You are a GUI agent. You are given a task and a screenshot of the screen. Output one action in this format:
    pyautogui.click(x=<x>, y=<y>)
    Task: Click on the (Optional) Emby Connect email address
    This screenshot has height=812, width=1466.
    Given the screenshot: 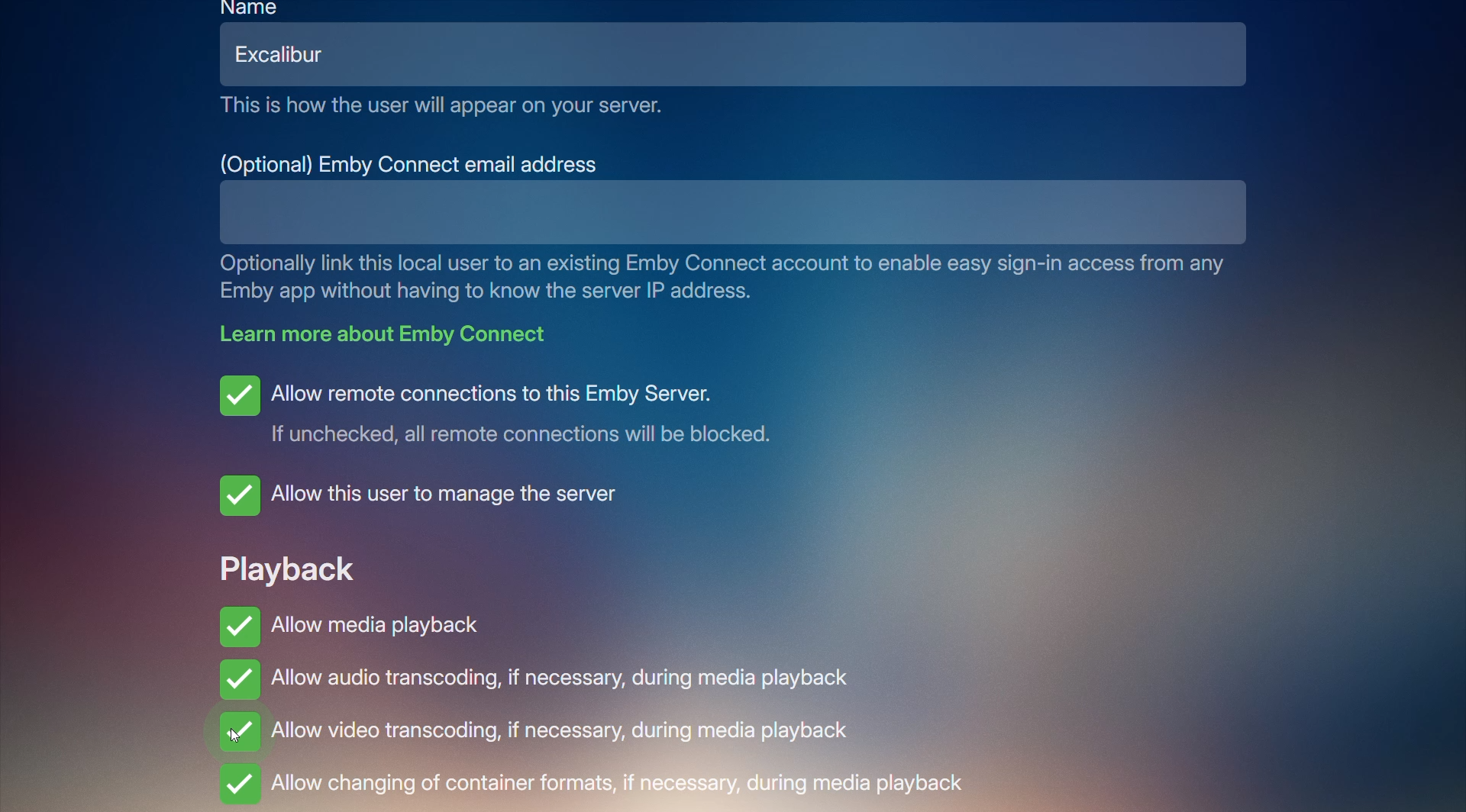 What is the action you would take?
    pyautogui.click(x=412, y=163)
    